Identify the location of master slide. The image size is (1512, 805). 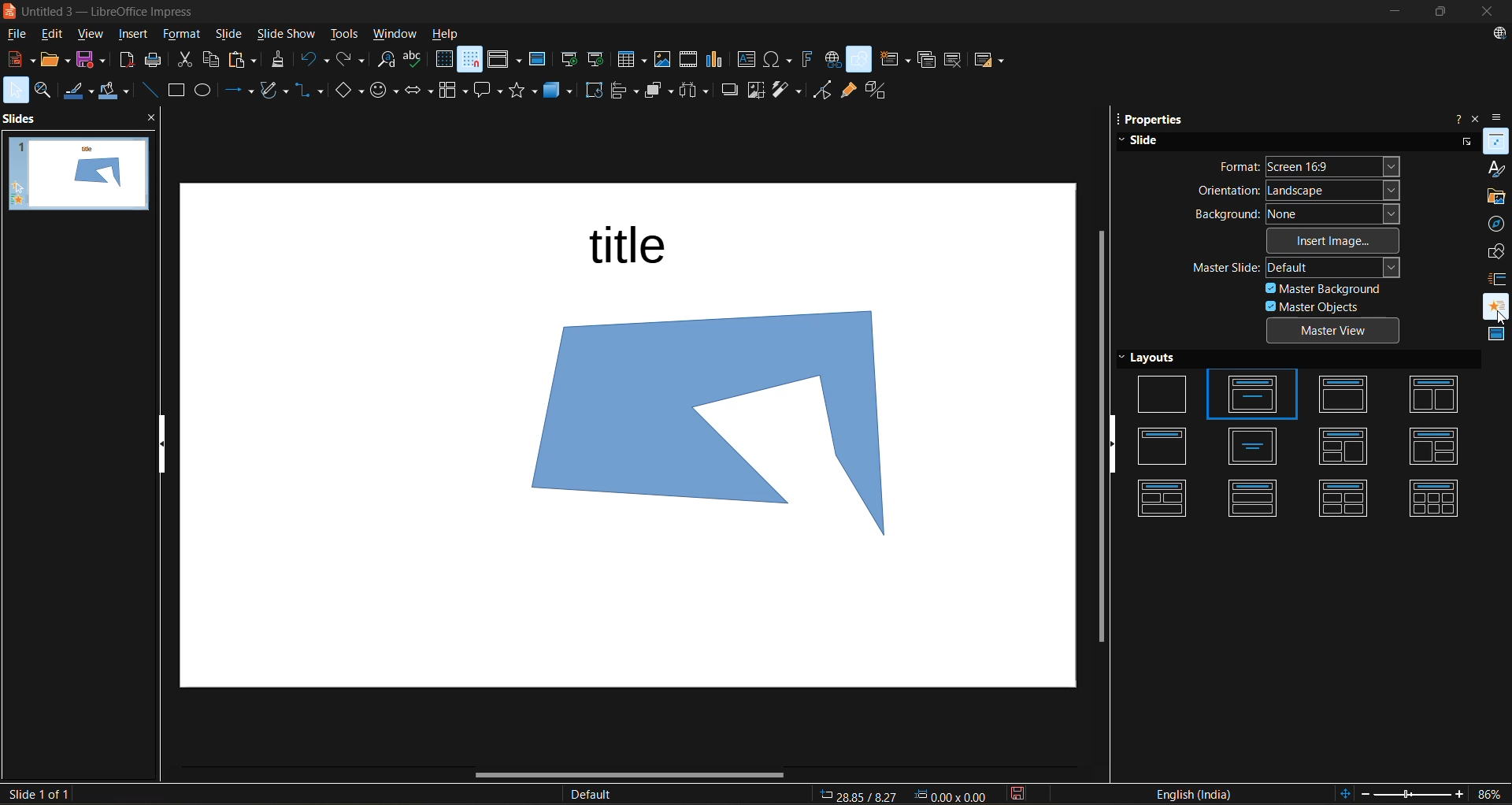
(1299, 269).